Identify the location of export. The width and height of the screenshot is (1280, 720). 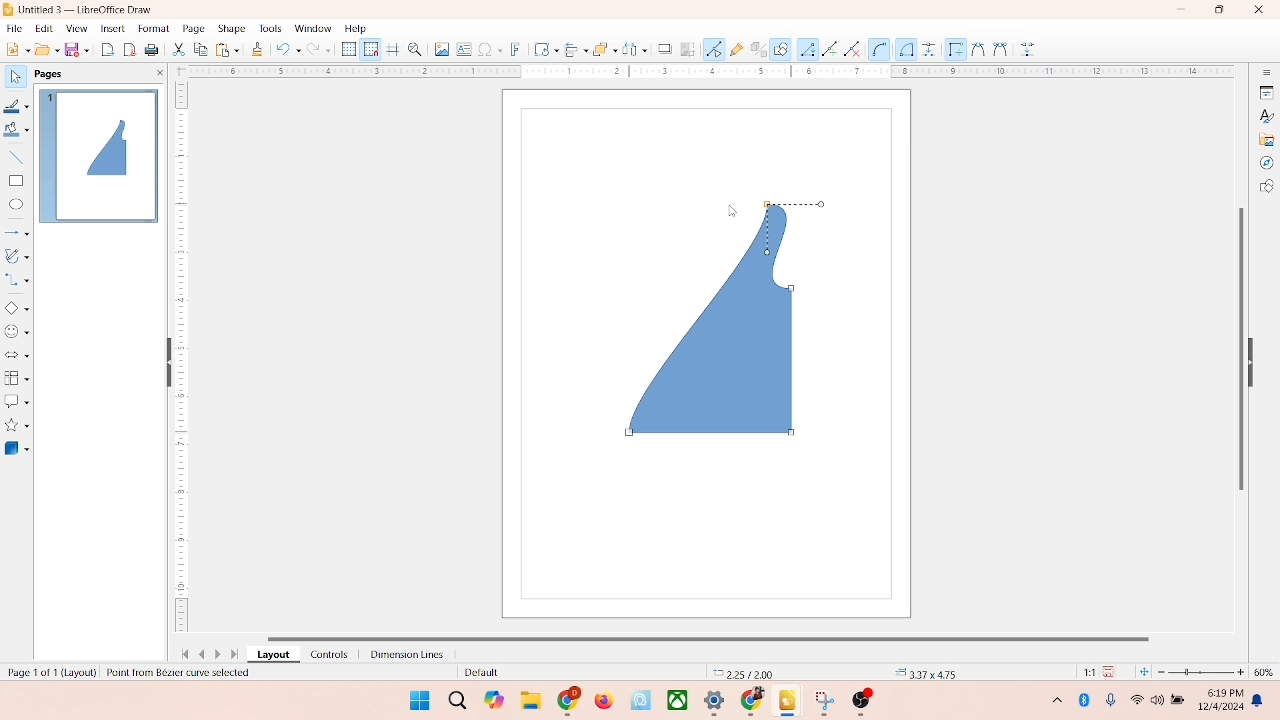
(110, 48).